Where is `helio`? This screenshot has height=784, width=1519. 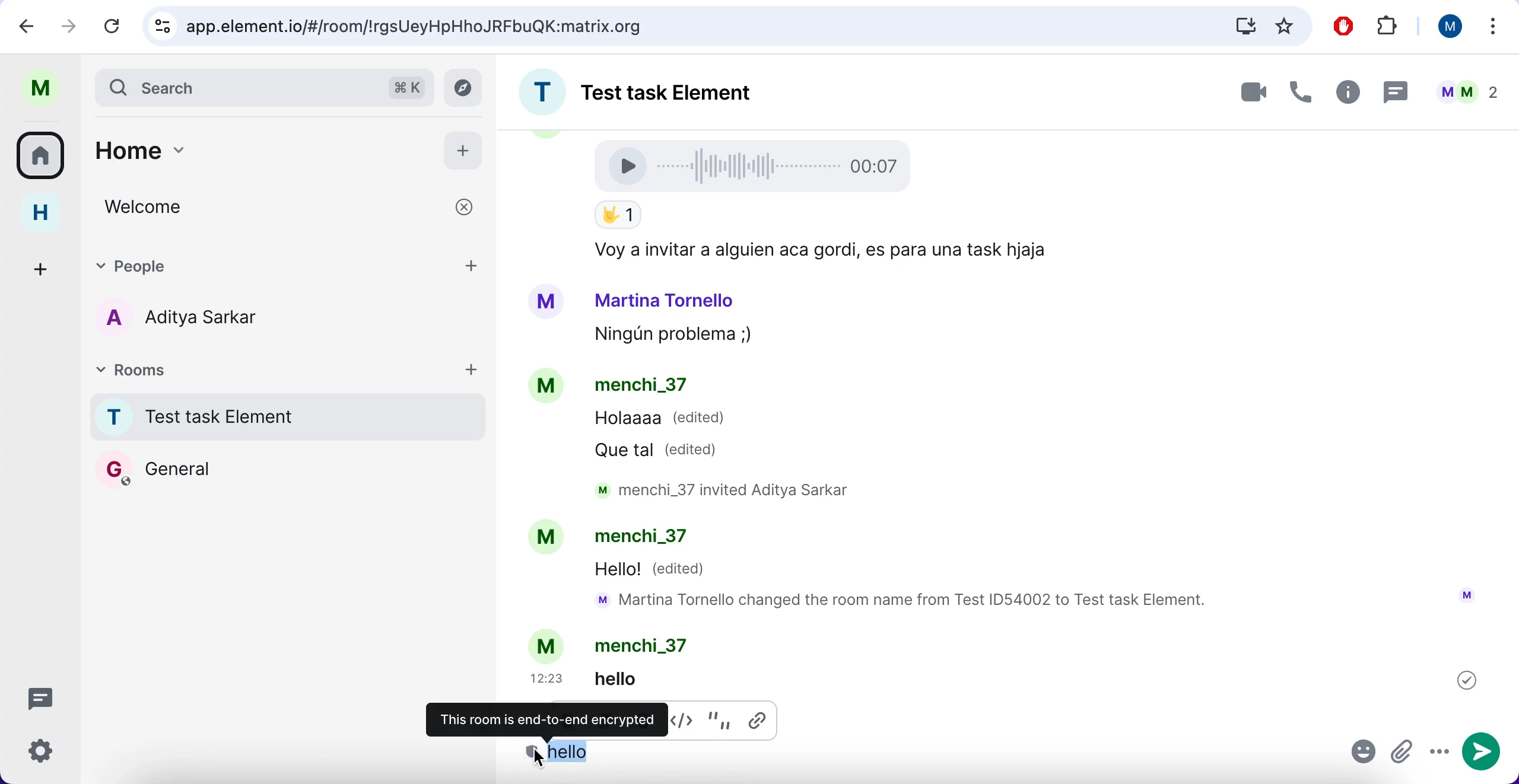 helio is located at coordinates (635, 678).